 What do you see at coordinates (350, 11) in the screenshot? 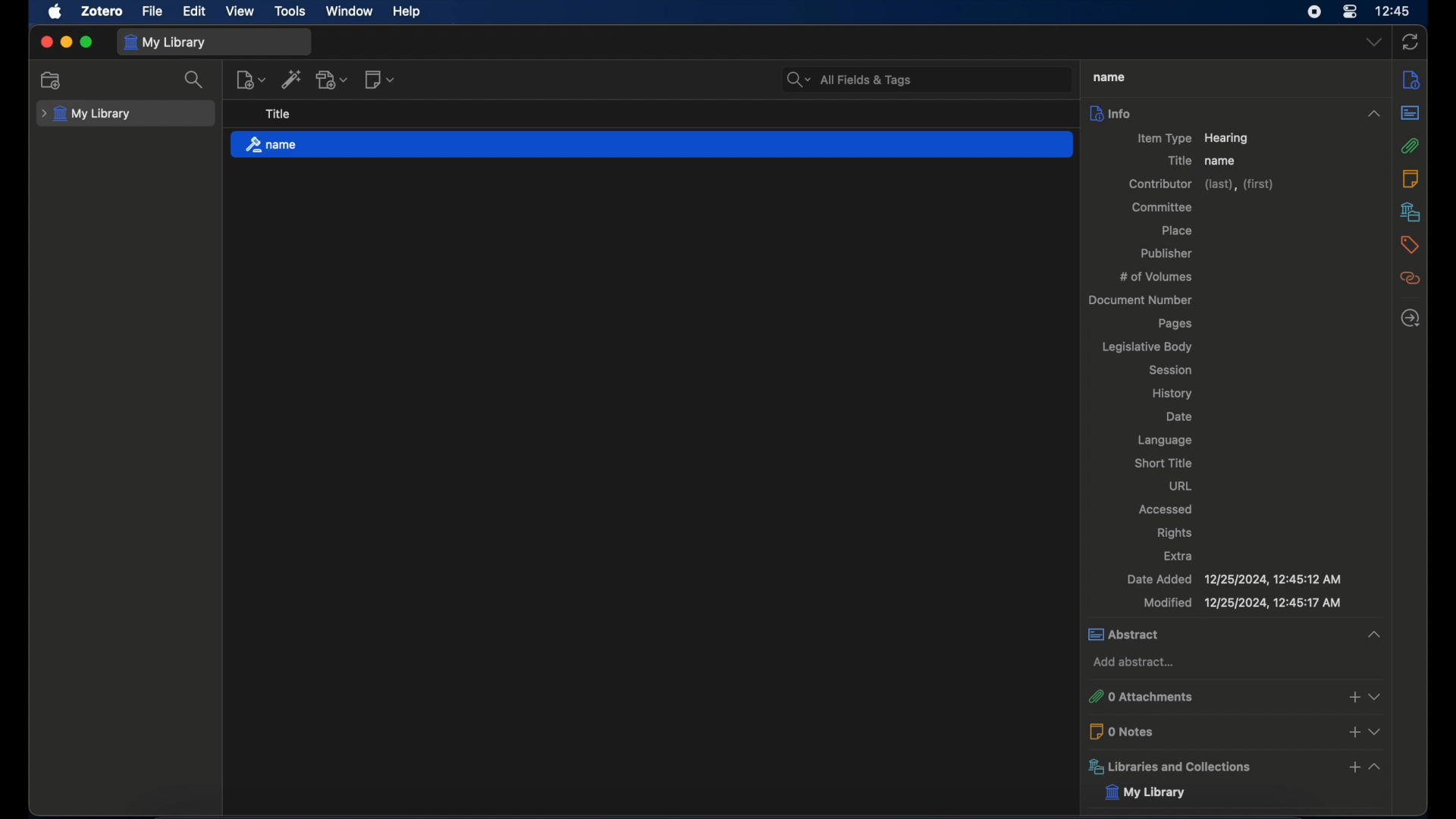
I see `window` at bounding box center [350, 11].